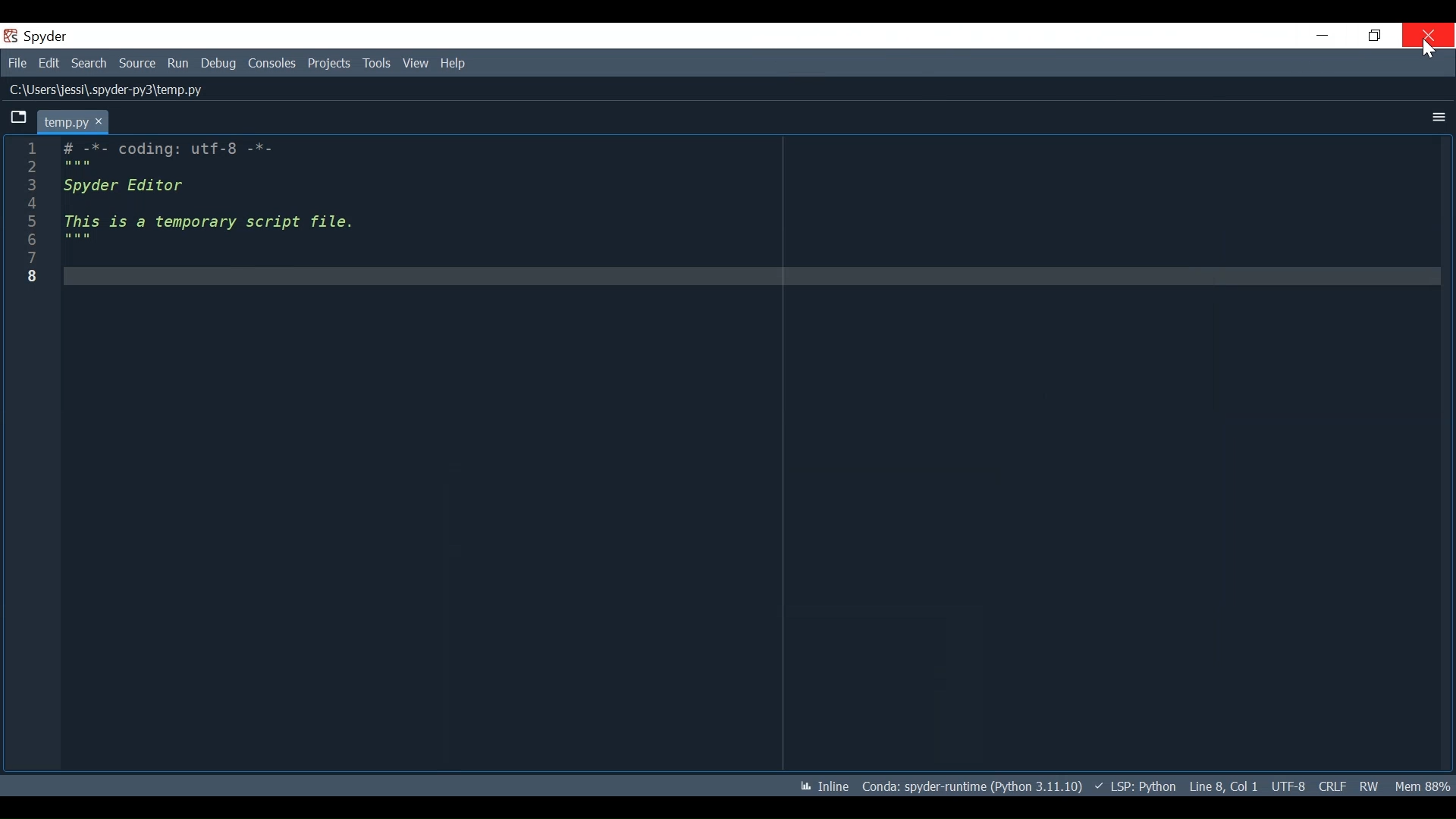  Describe the element at coordinates (1373, 36) in the screenshot. I see `Restore` at that location.